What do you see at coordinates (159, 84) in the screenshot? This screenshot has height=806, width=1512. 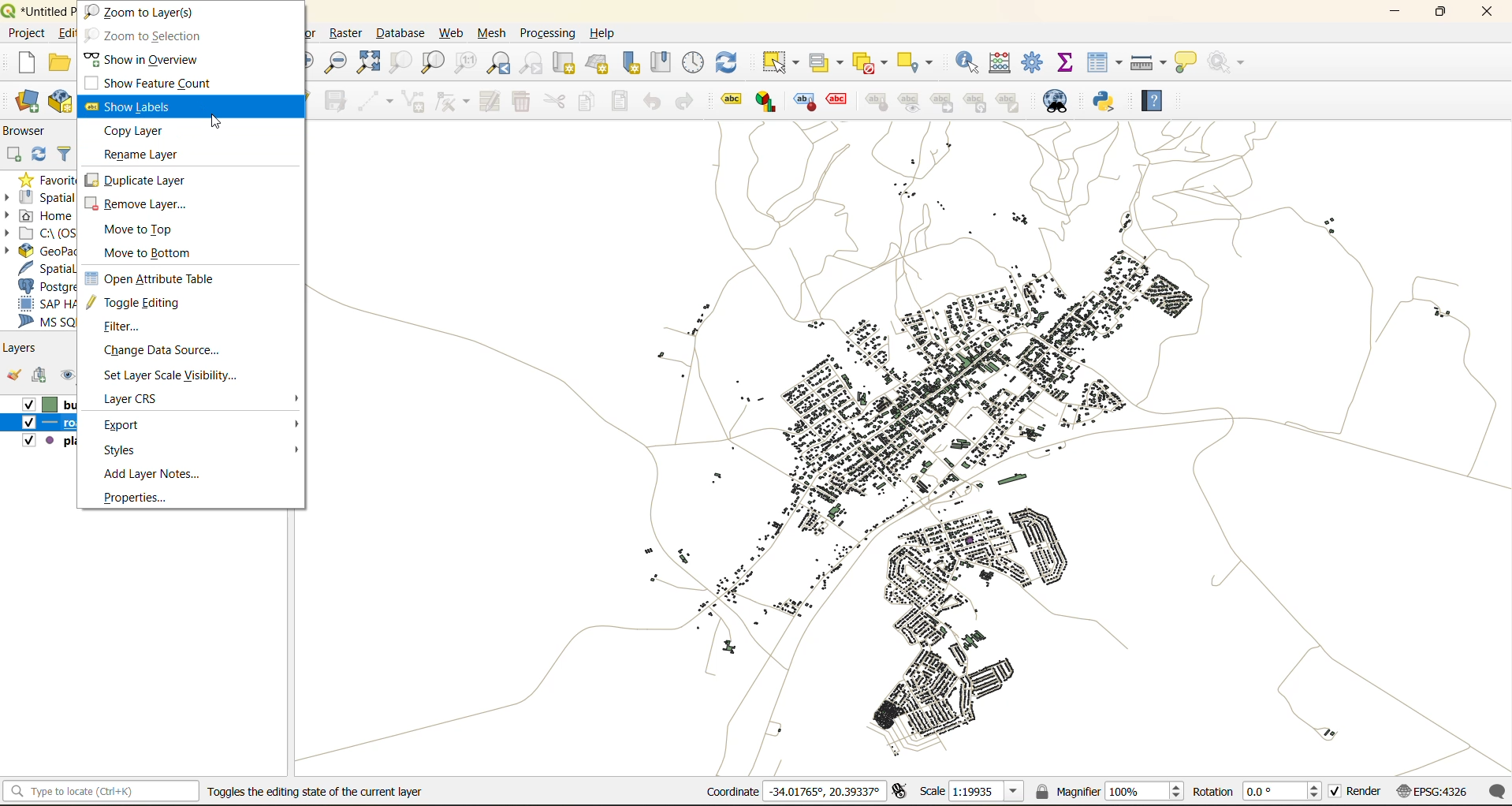 I see `show feature count` at bounding box center [159, 84].